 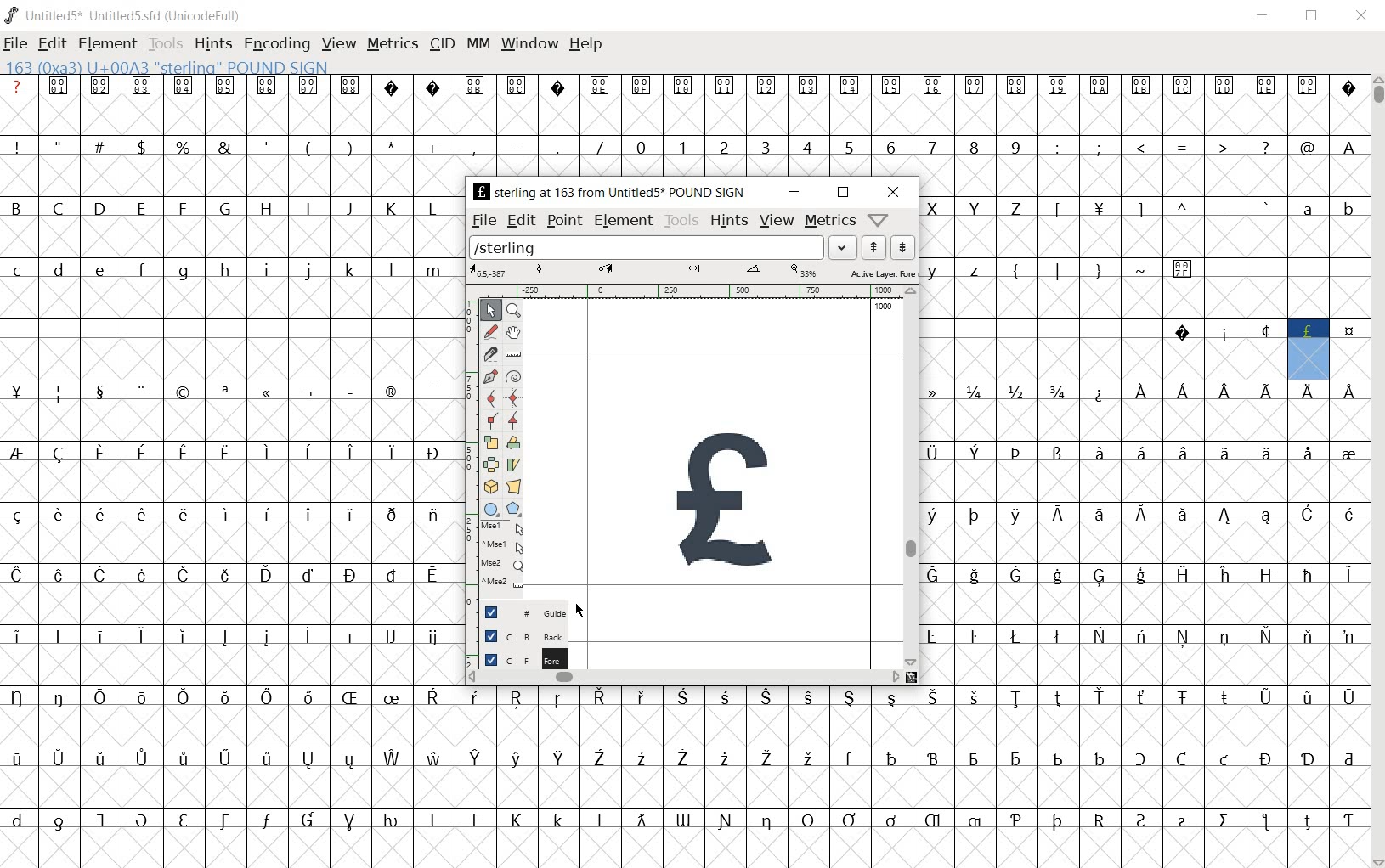 What do you see at coordinates (58, 634) in the screenshot?
I see `Symbol` at bounding box center [58, 634].